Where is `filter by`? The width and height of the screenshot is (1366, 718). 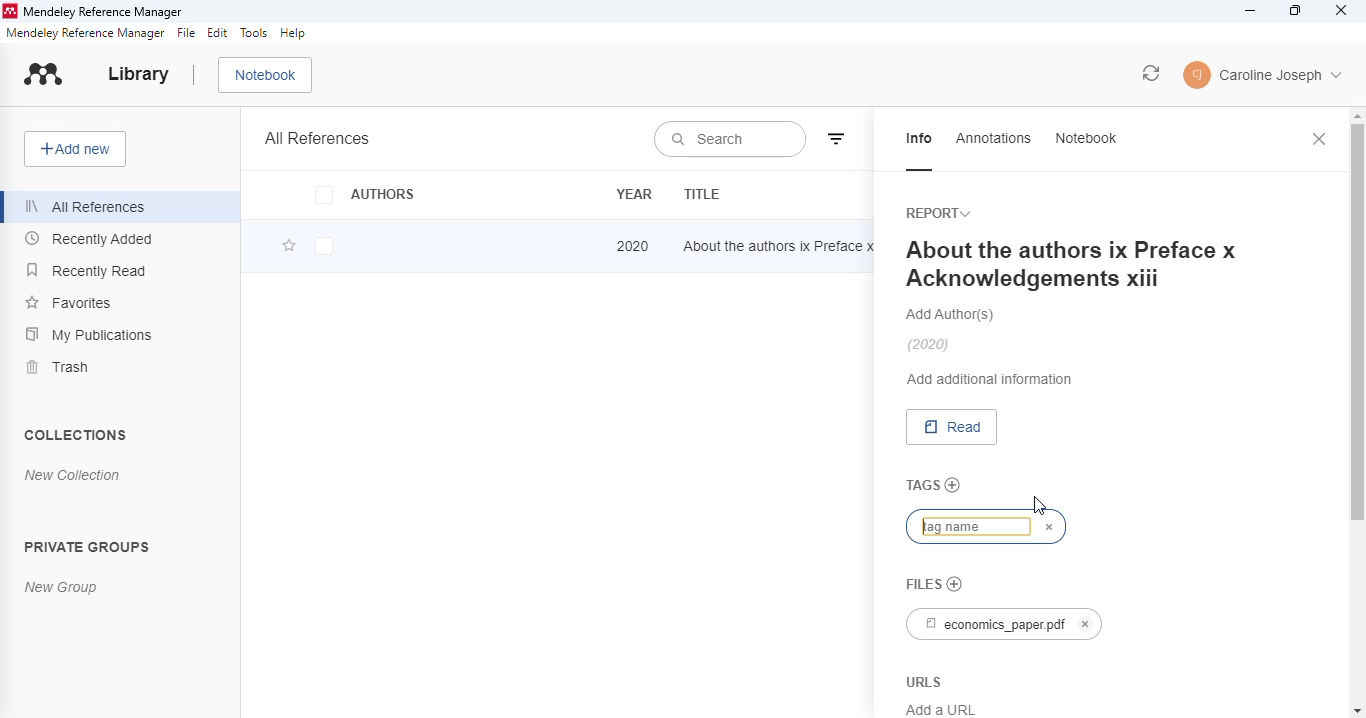
filter by is located at coordinates (839, 136).